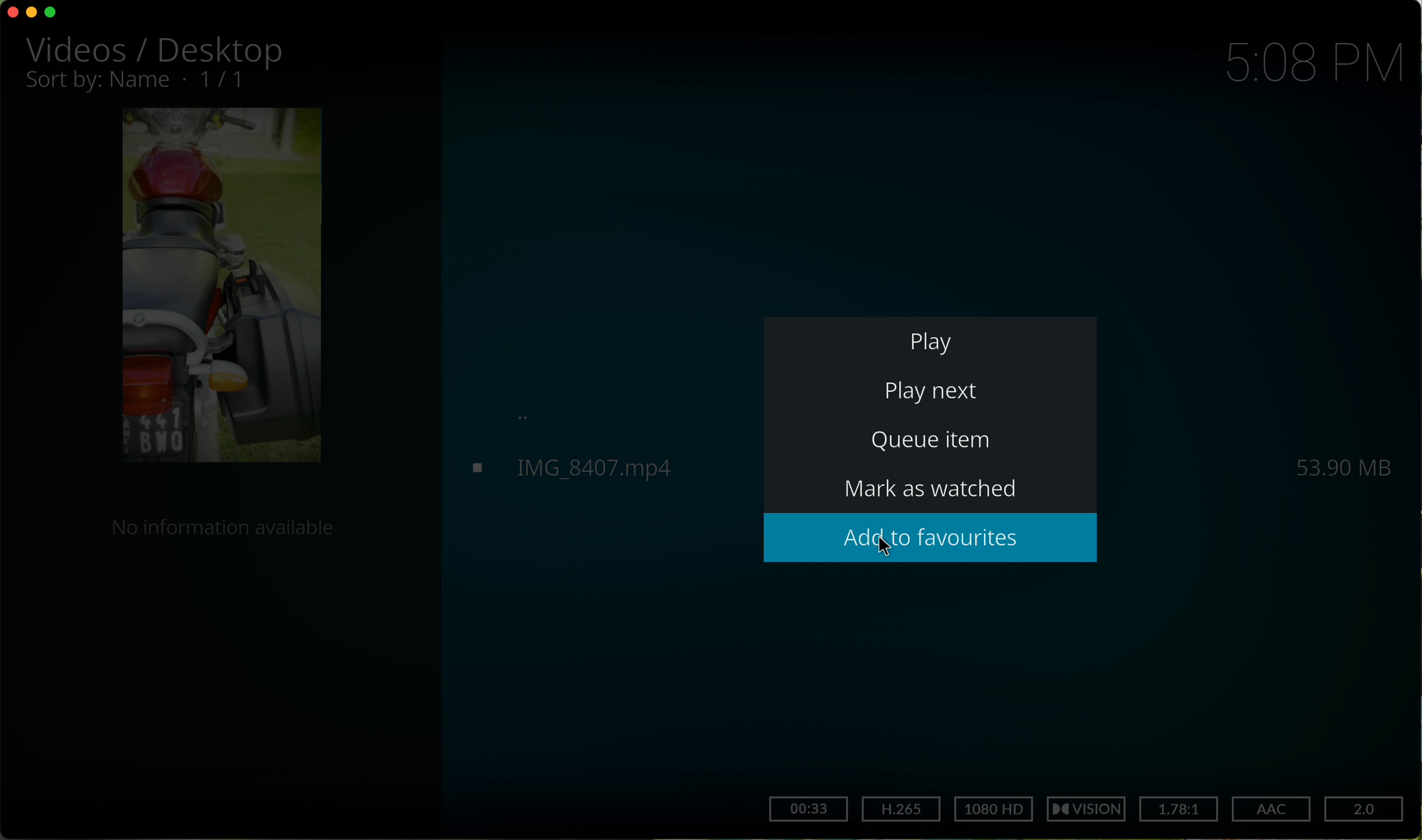  Describe the element at coordinates (141, 82) in the screenshot. I see `1/1` at that location.